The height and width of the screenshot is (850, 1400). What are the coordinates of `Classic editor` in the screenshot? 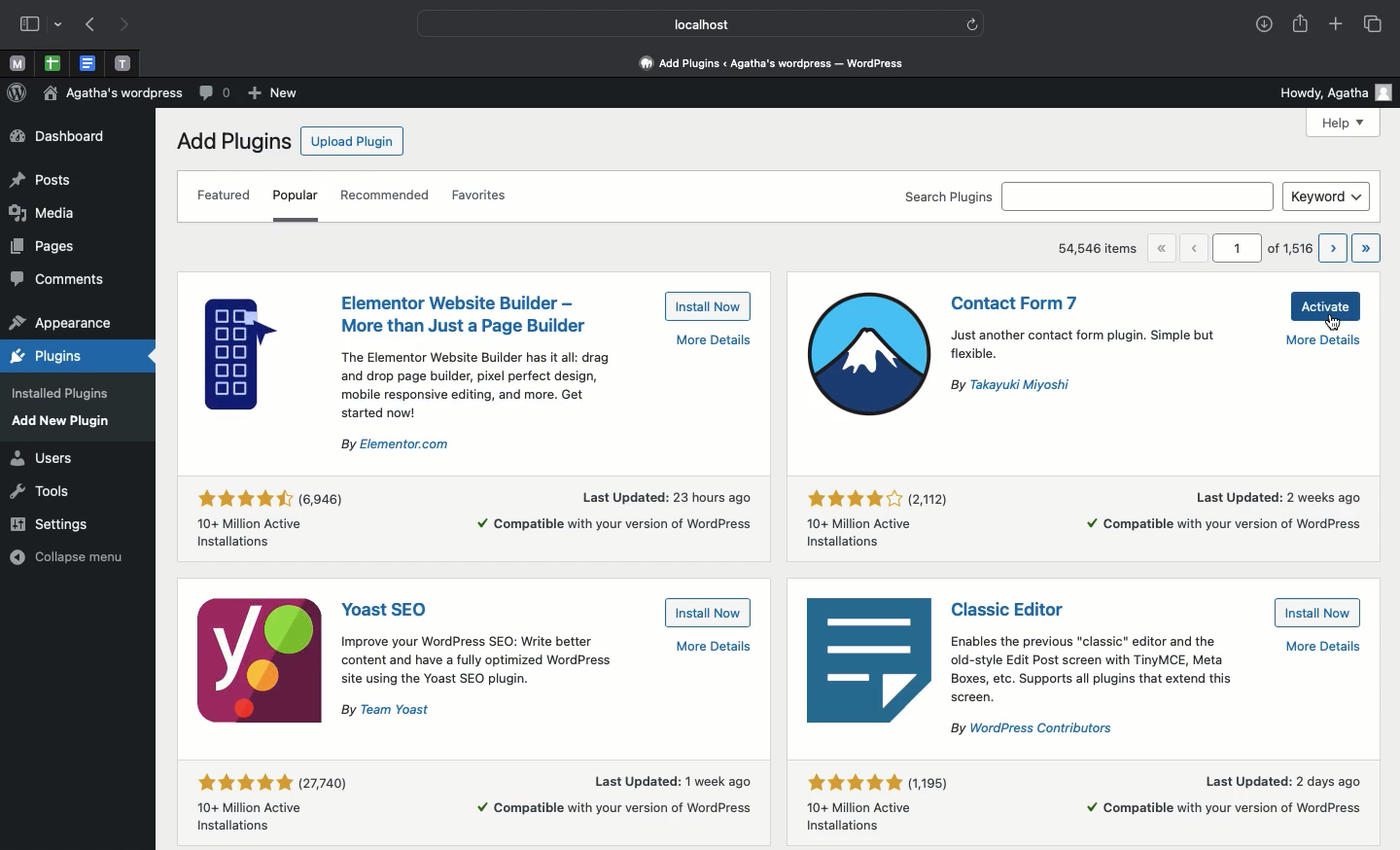 It's located at (1014, 608).